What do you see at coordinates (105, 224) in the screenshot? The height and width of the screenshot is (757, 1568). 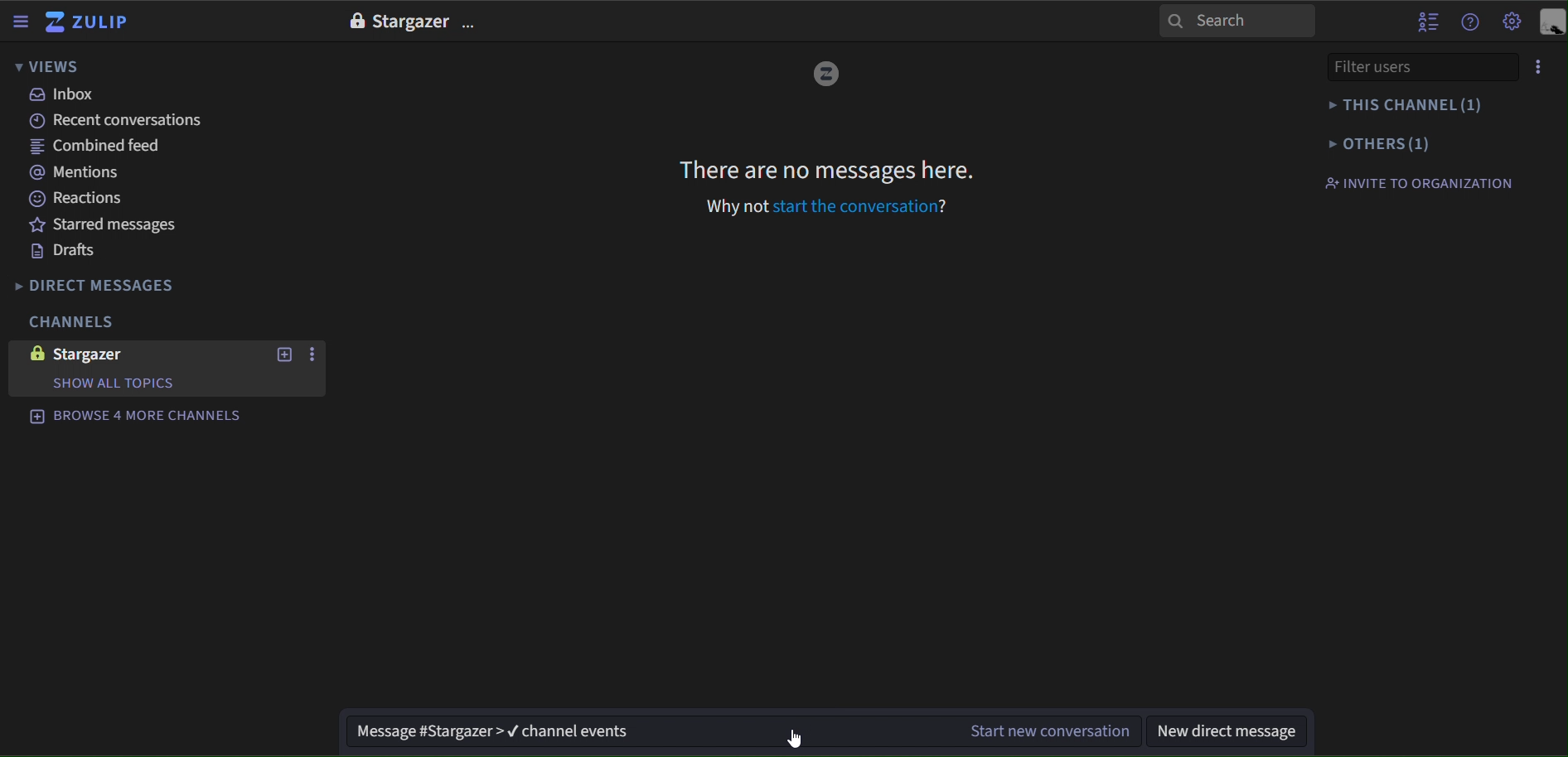 I see `starred messages` at bounding box center [105, 224].